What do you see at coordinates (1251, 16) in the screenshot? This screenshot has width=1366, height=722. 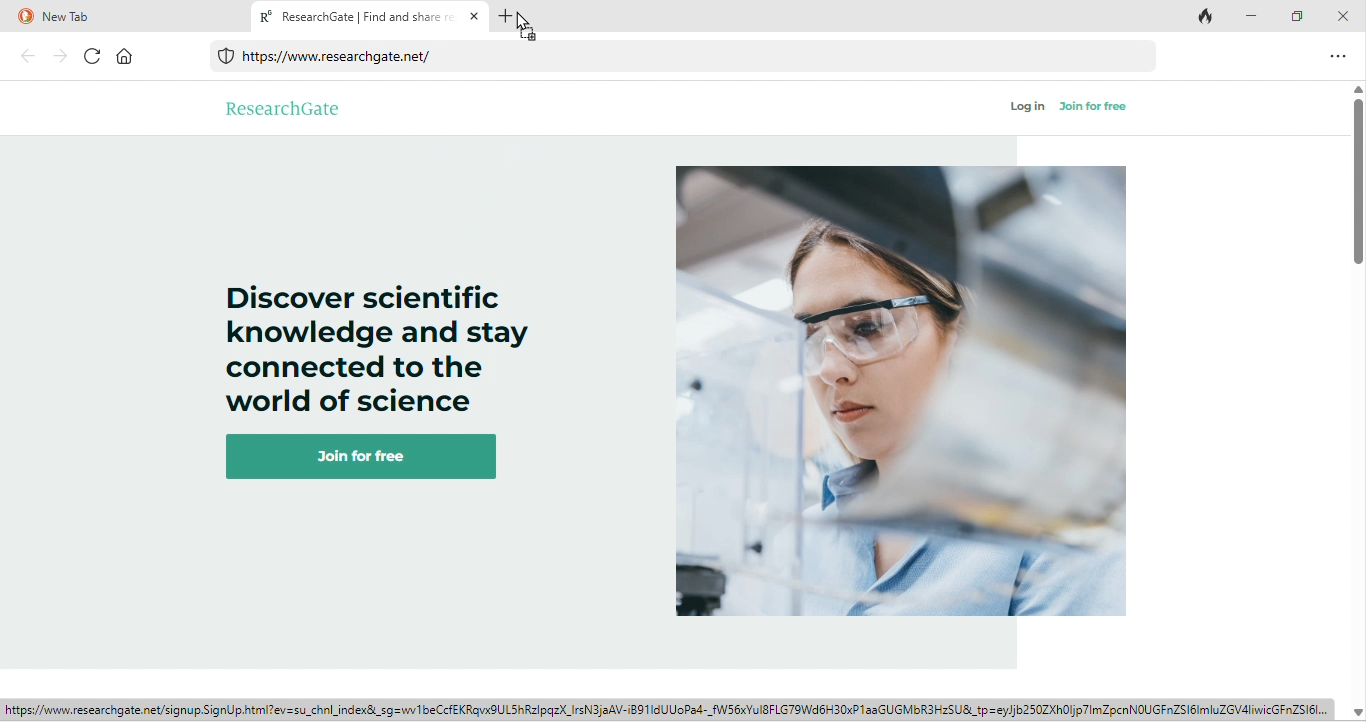 I see `minimize` at bounding box center [1251, 16].